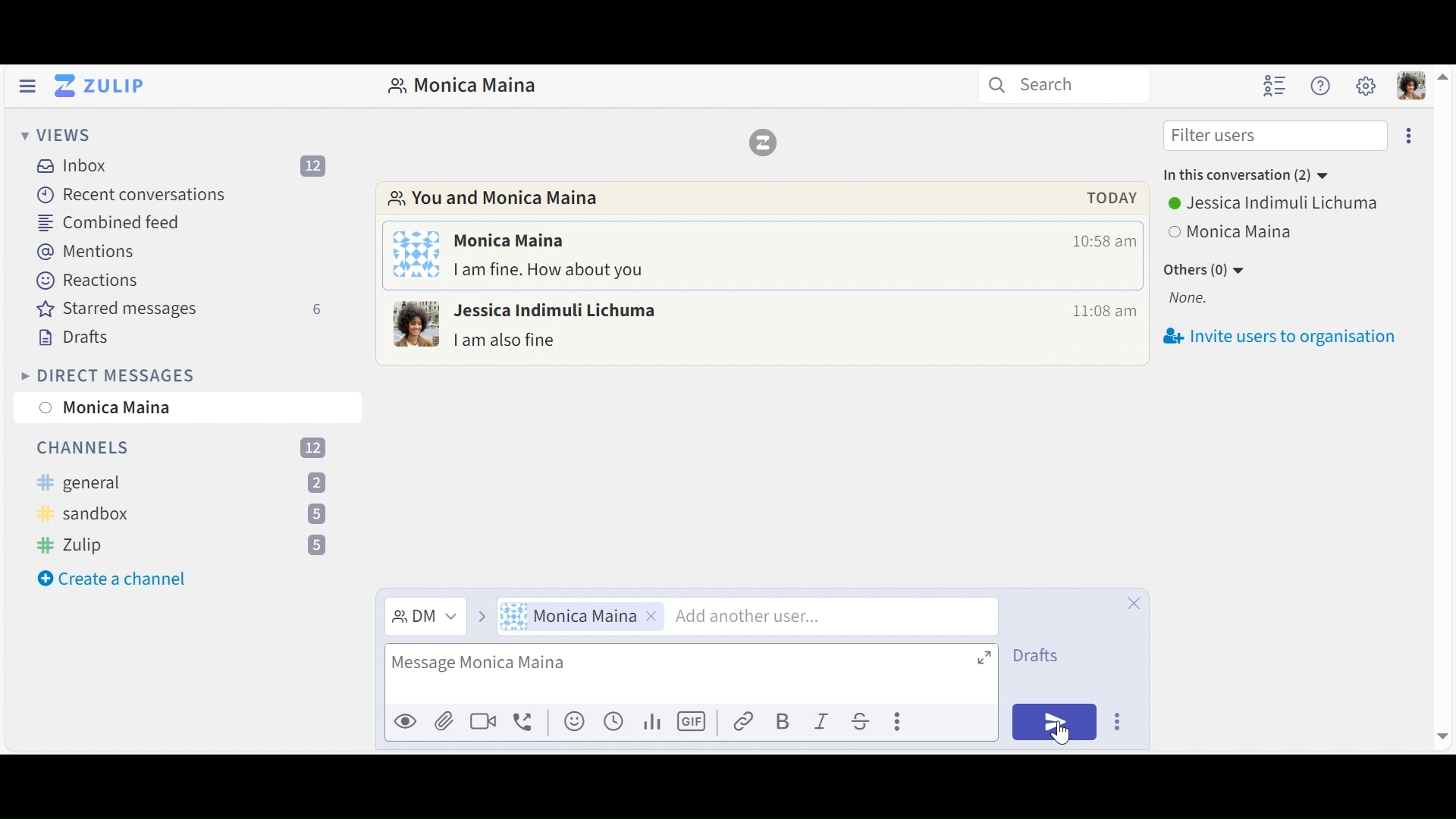  What do you see at coordinates (527, 723) in the screenshot?
I see `Add voice call` at bounding box center [527, 723].